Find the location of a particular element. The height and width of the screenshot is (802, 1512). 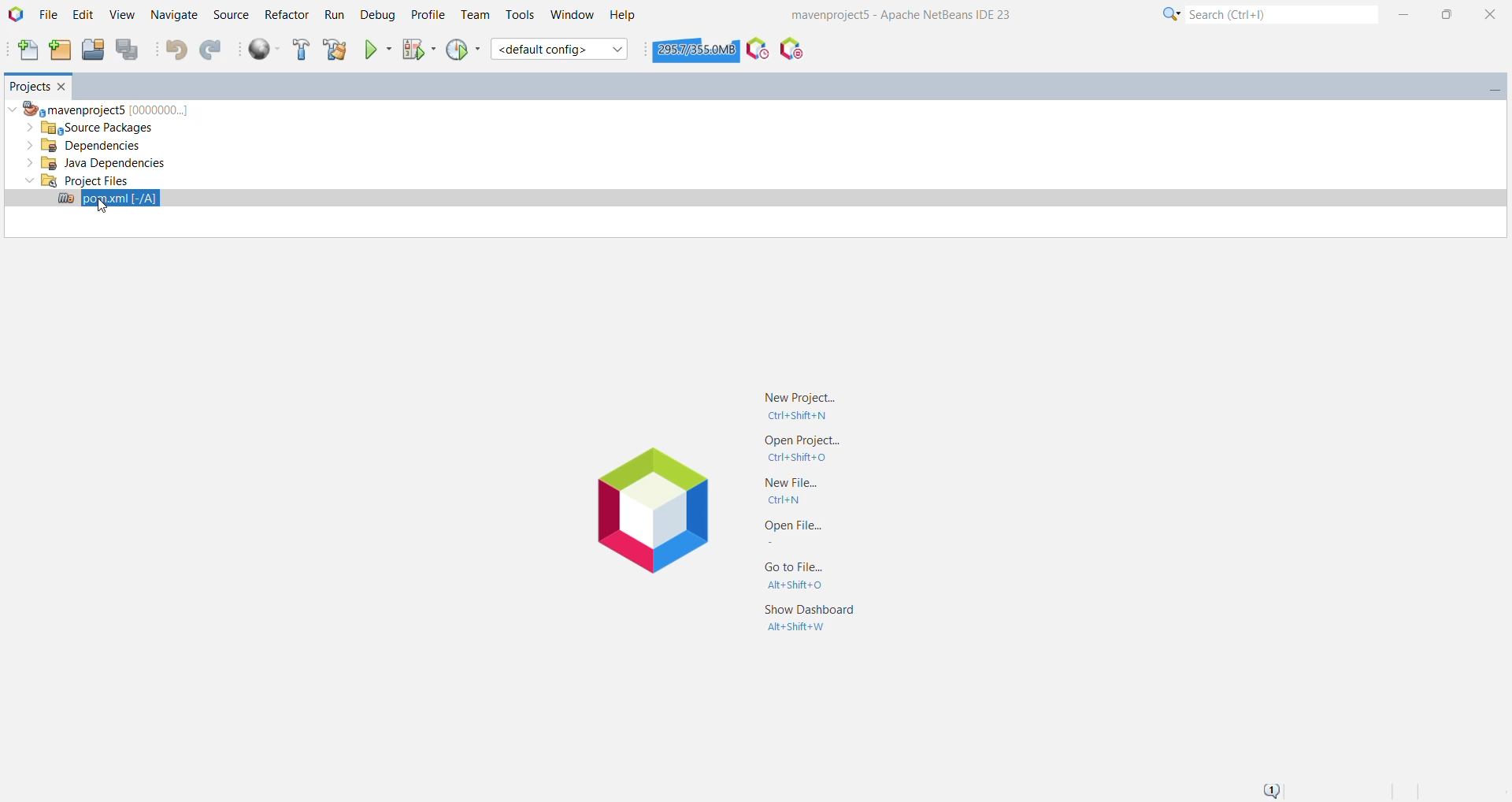

Edit is located at coordinates (85, 15).